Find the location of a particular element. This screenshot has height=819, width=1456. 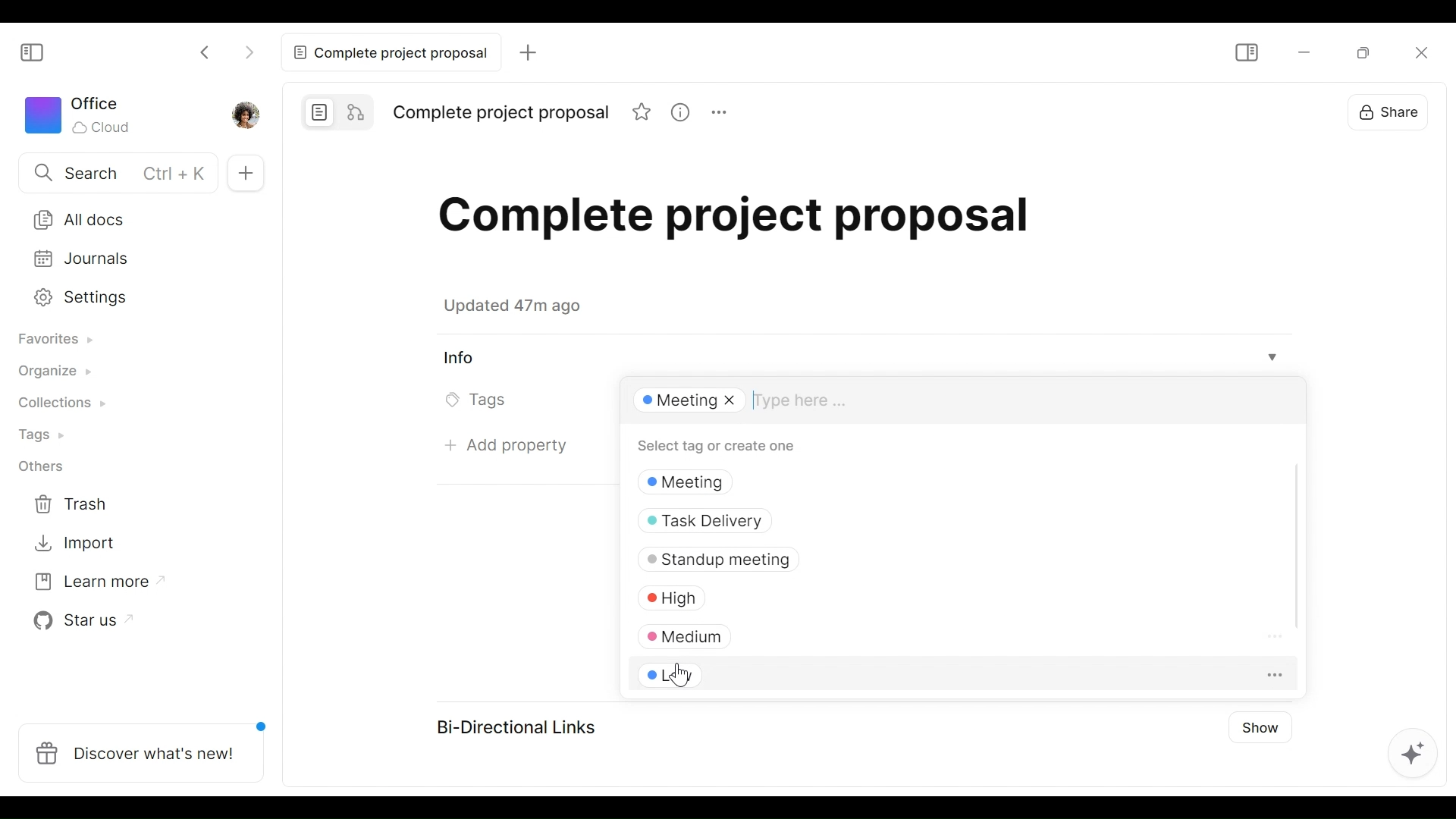

Show is located at coordinates (1259, 732).